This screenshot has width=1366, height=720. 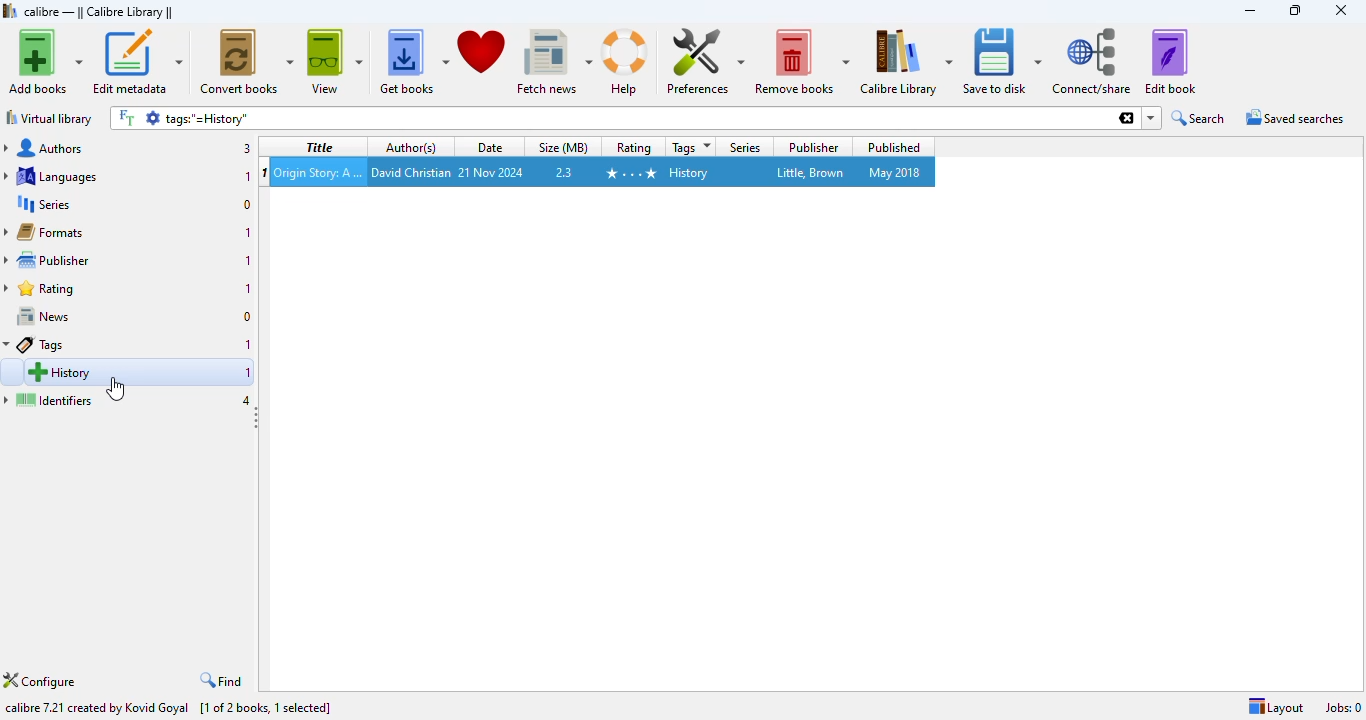 I want to click on date, so click(x=491, y=148).